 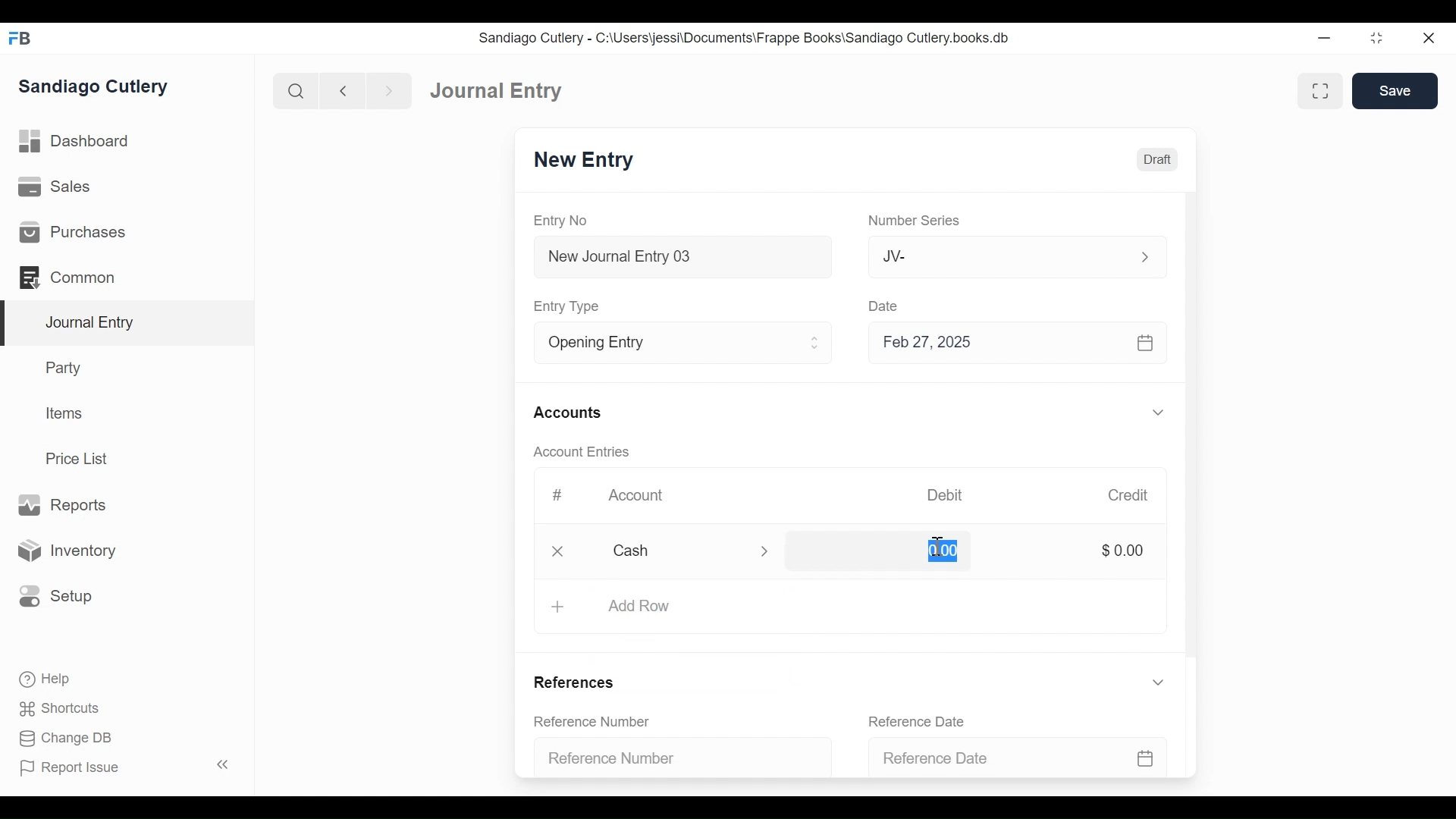 I want to click on New Entry, so click(x=585, y=161).